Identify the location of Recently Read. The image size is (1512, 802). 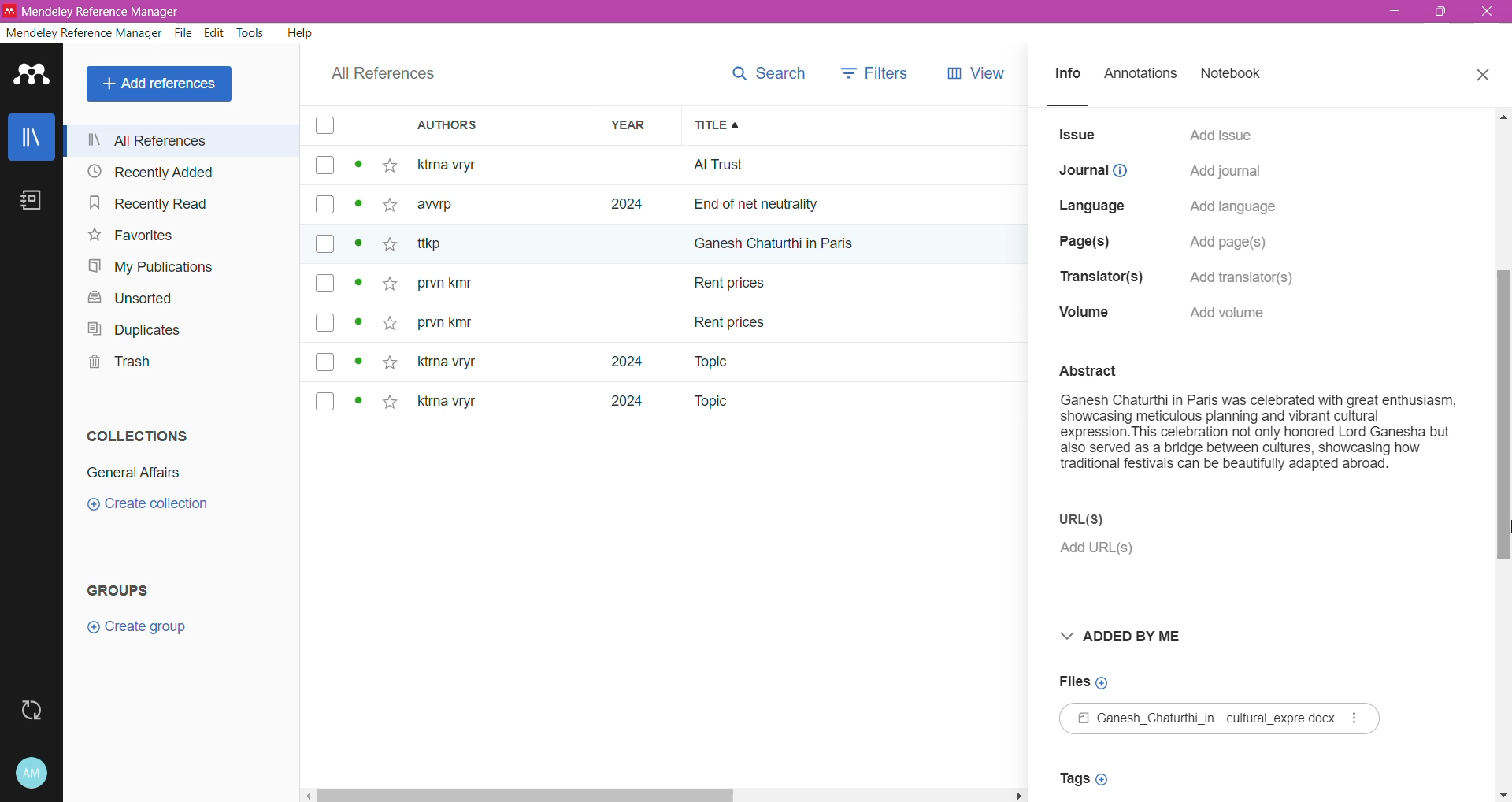
(149, 204).